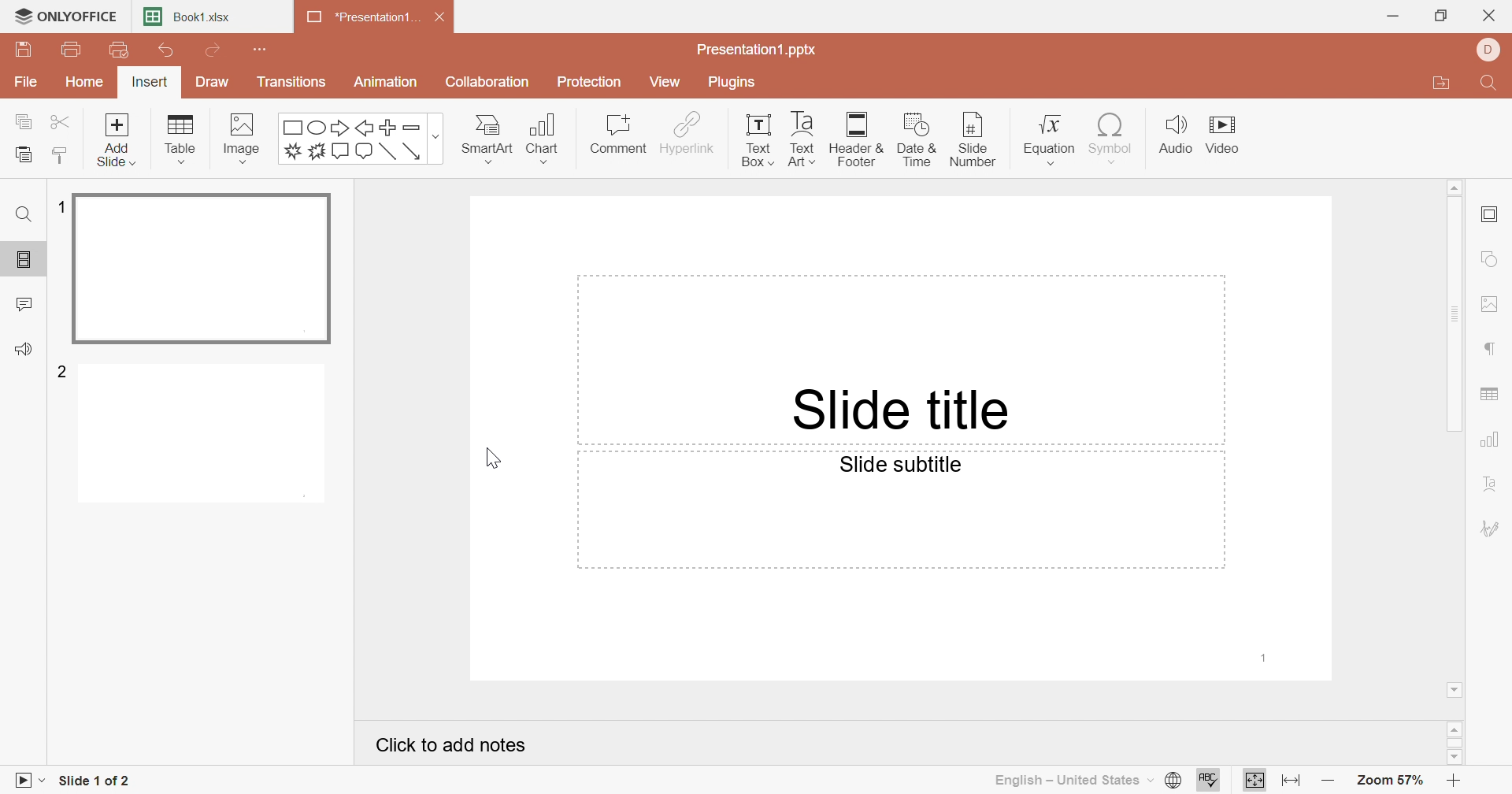 The width and height of the screenshot is (1512, 794). Describe the element at coordinates (1459, 315) in the screenshot. I see `Scroll Bar` at that location.